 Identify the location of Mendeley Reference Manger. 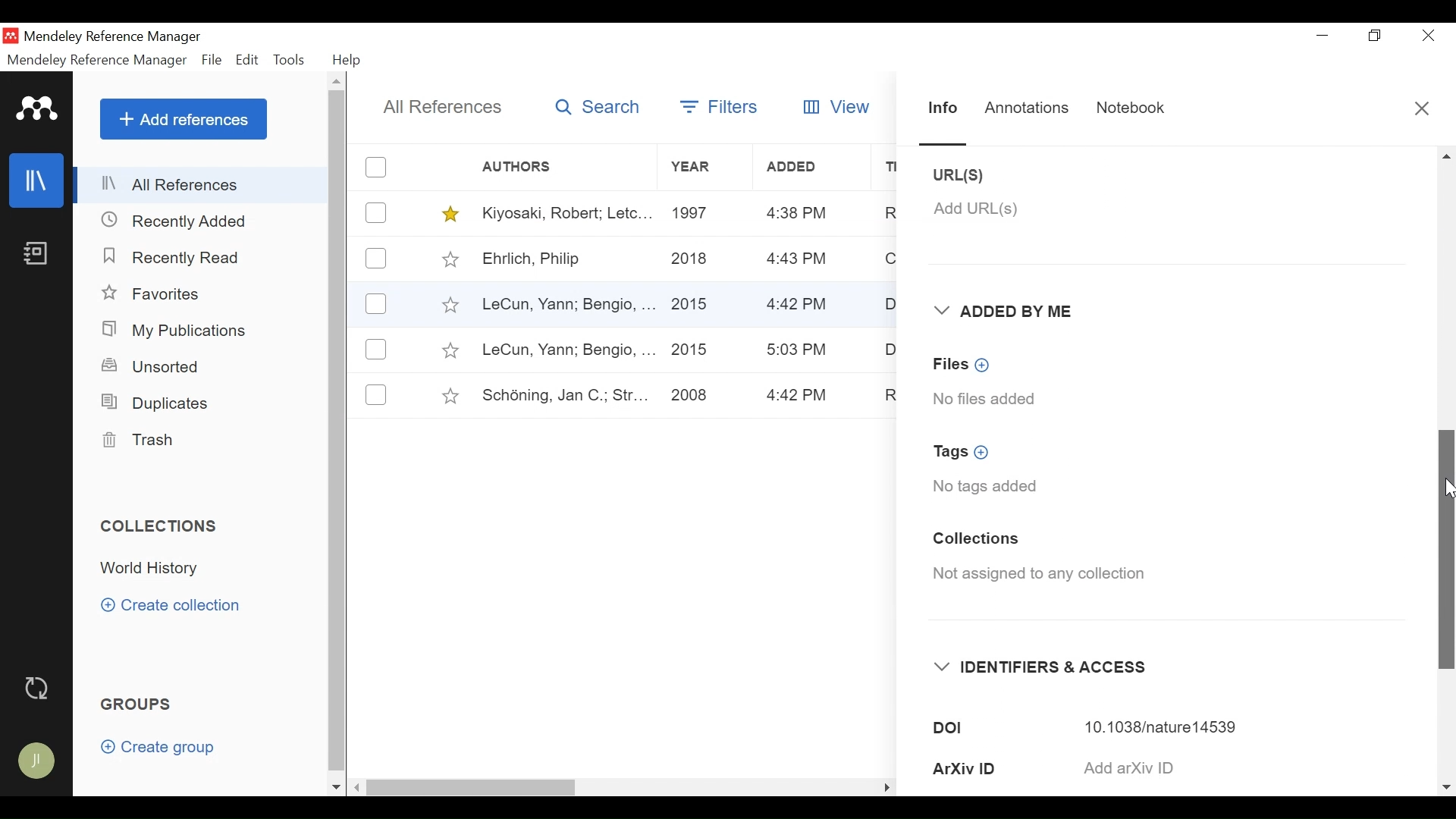
(122, 36).